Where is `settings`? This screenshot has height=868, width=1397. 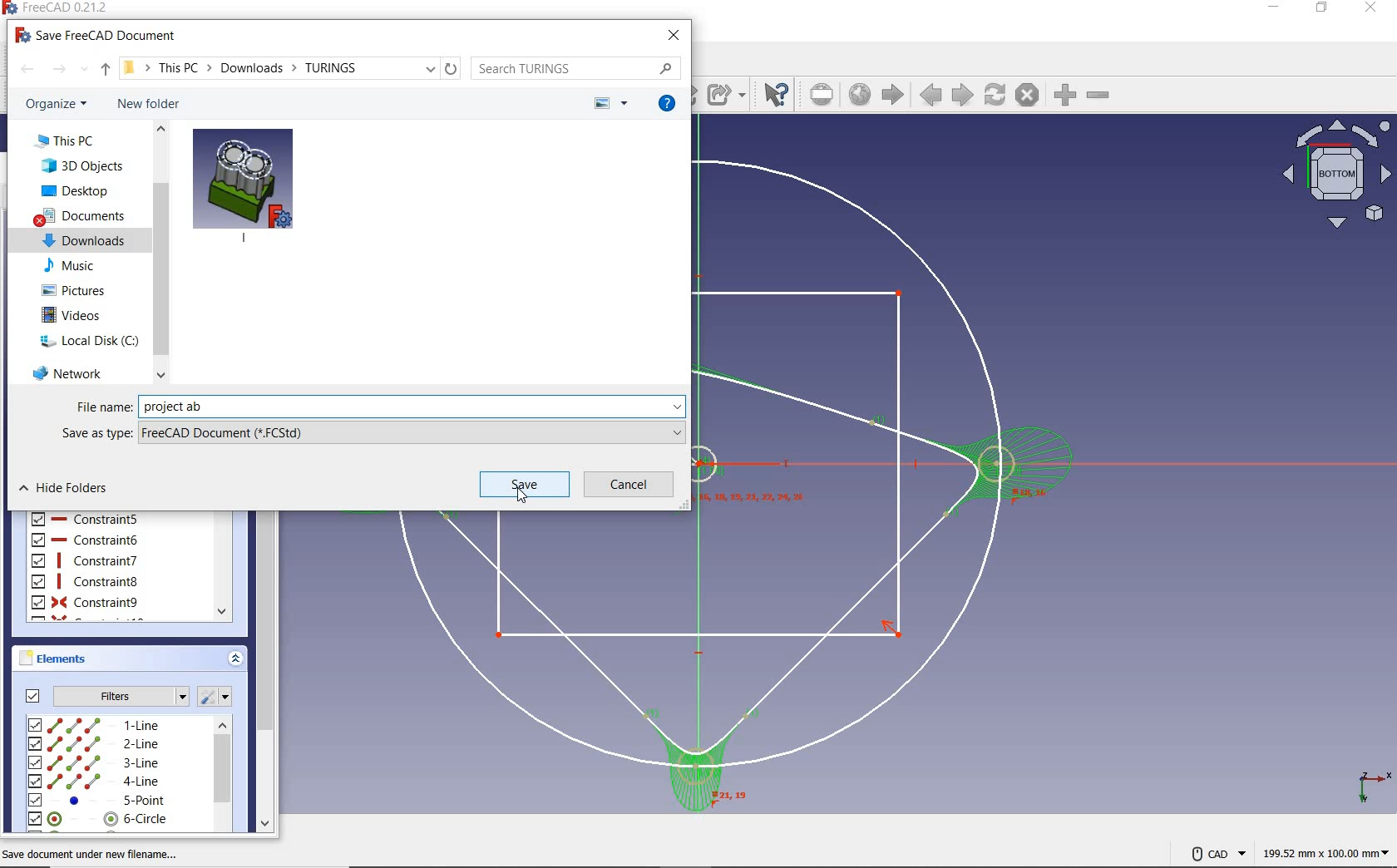
settings is located at coordinates (219, 696).